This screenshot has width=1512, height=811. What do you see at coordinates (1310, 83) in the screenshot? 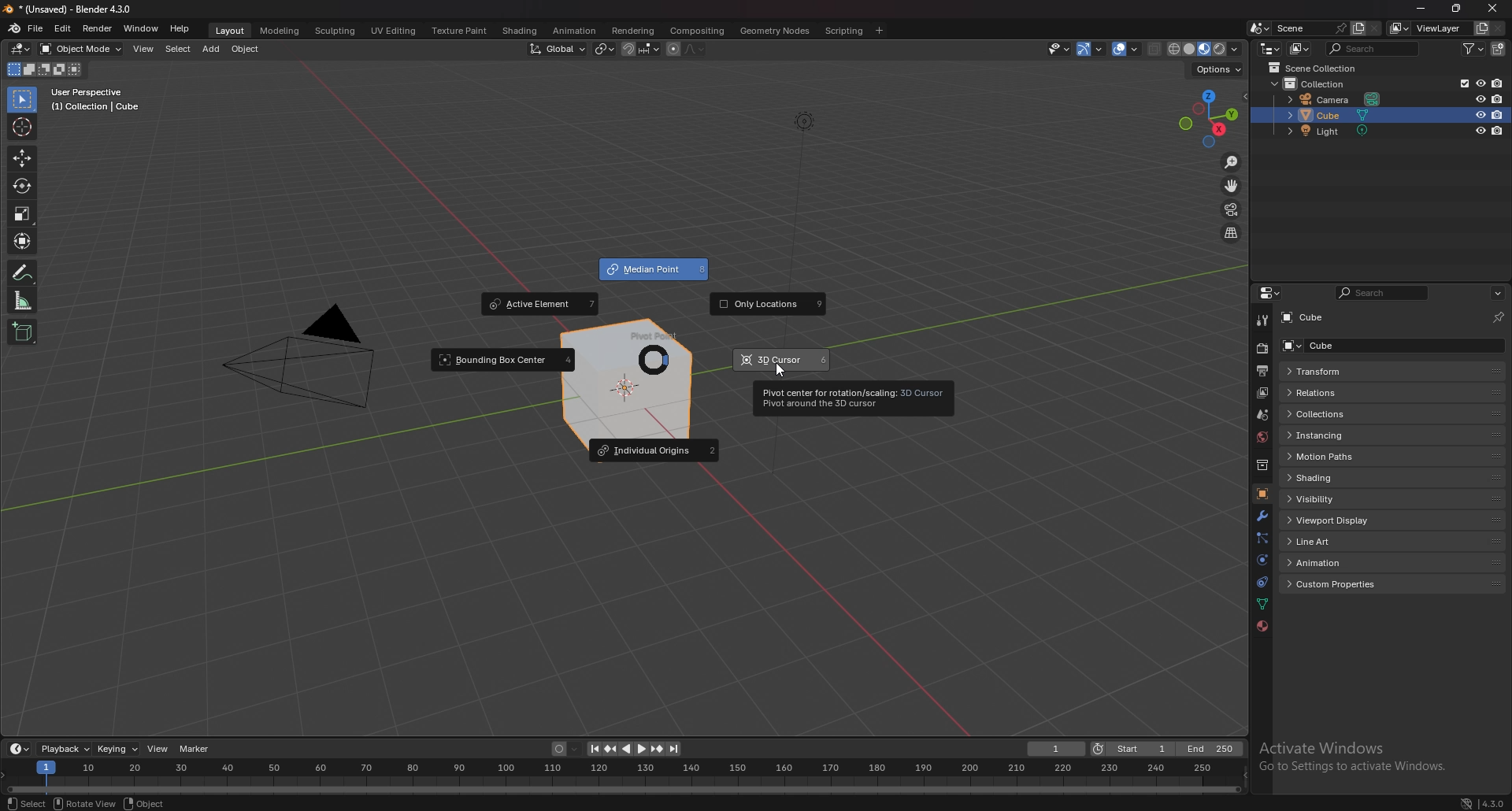
I see `collection` at bounding box center [1310, 83].